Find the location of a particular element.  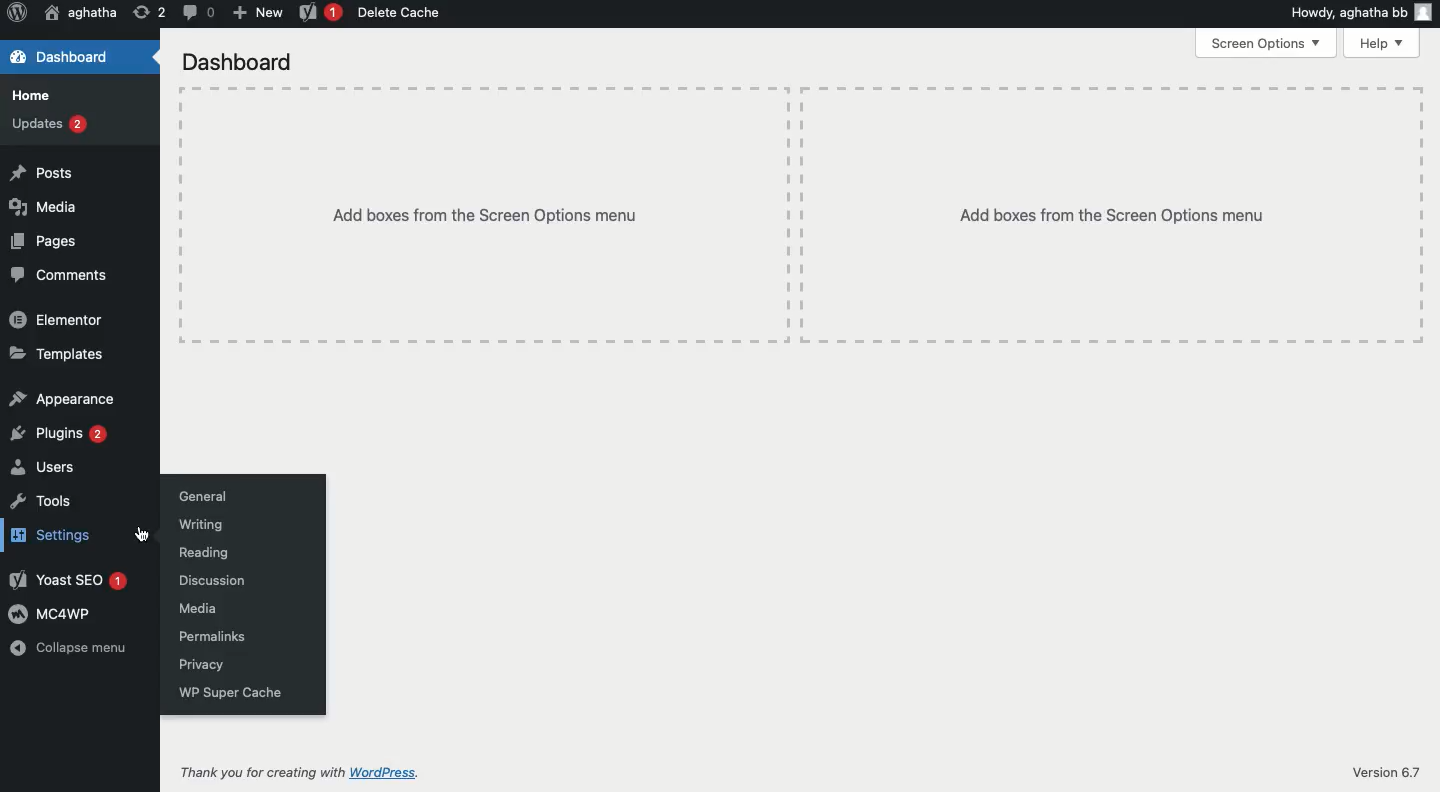

Appearance is located at coordinates (60, 397).